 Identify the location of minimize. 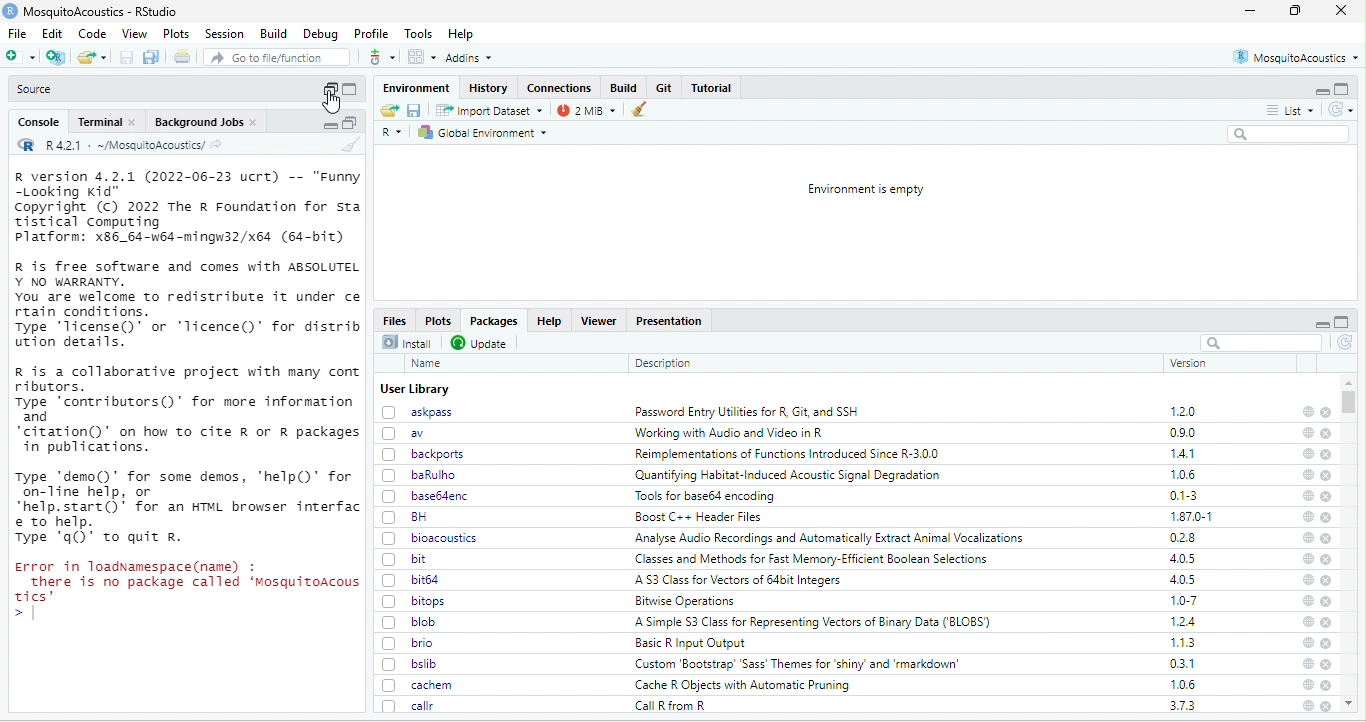
(331, 125).